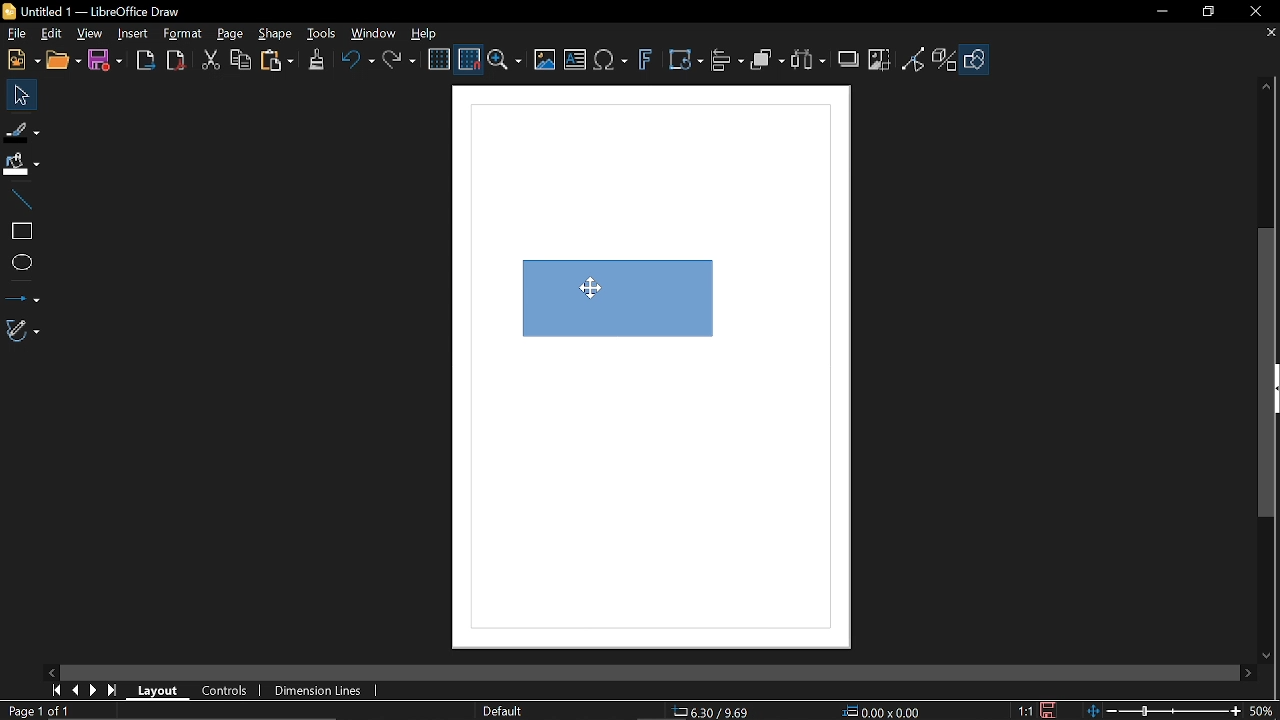  What do you see at coordinates (108, 11) in the screenshot?
I see `Untitled 1 — LibreOffice Draw` at bounding box center [108, 11].